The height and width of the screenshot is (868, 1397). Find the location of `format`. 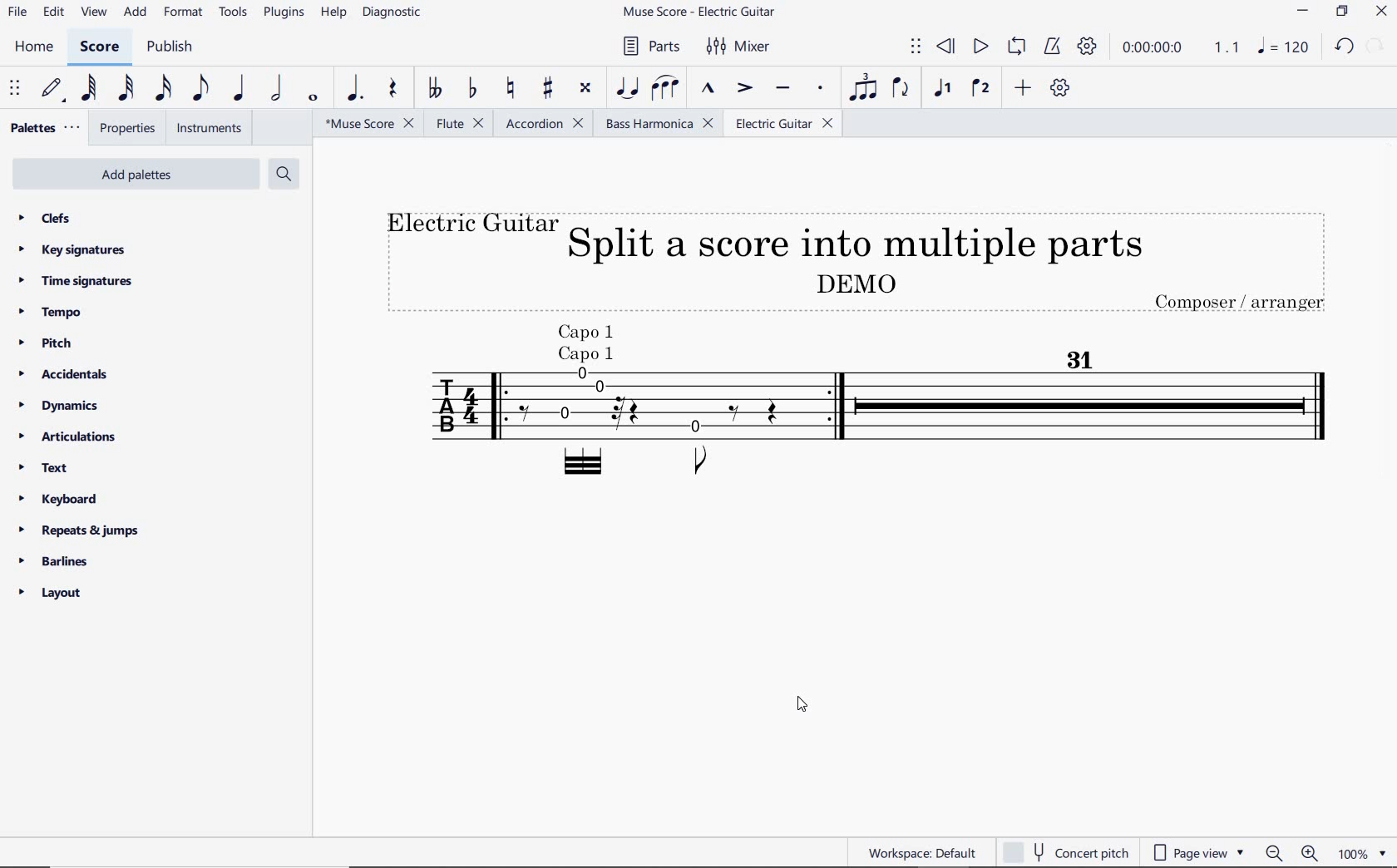

format is located at coordinates (184, 12).